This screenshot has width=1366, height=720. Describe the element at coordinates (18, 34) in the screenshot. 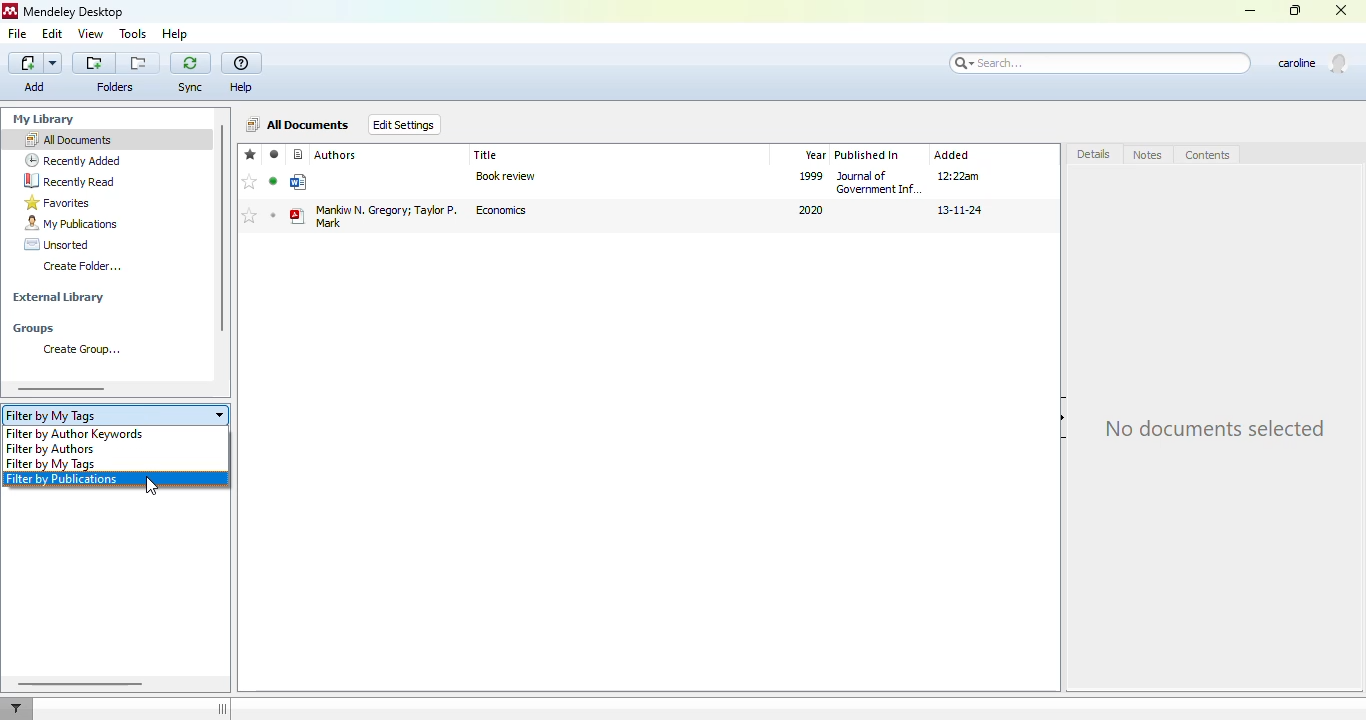

I see `file` at that location.